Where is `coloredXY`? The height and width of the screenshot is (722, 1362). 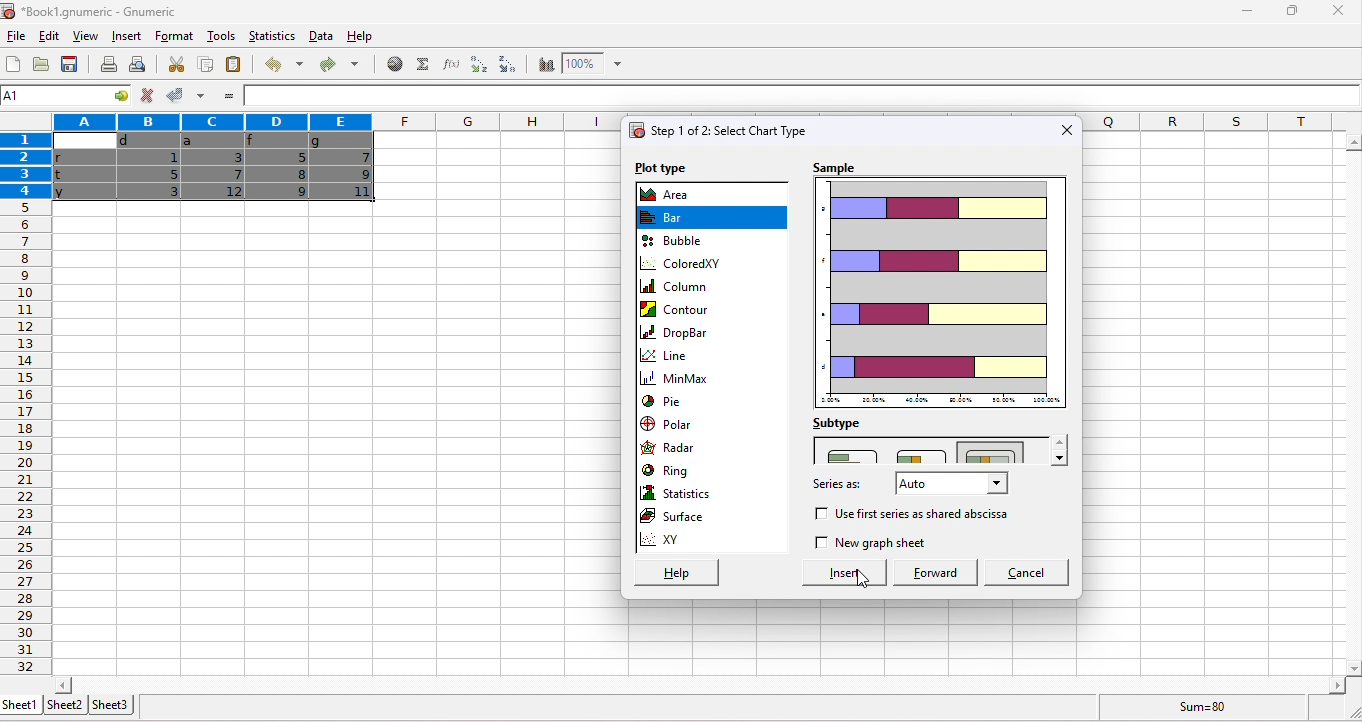
coloredXY is located at coordinates (684, 263).